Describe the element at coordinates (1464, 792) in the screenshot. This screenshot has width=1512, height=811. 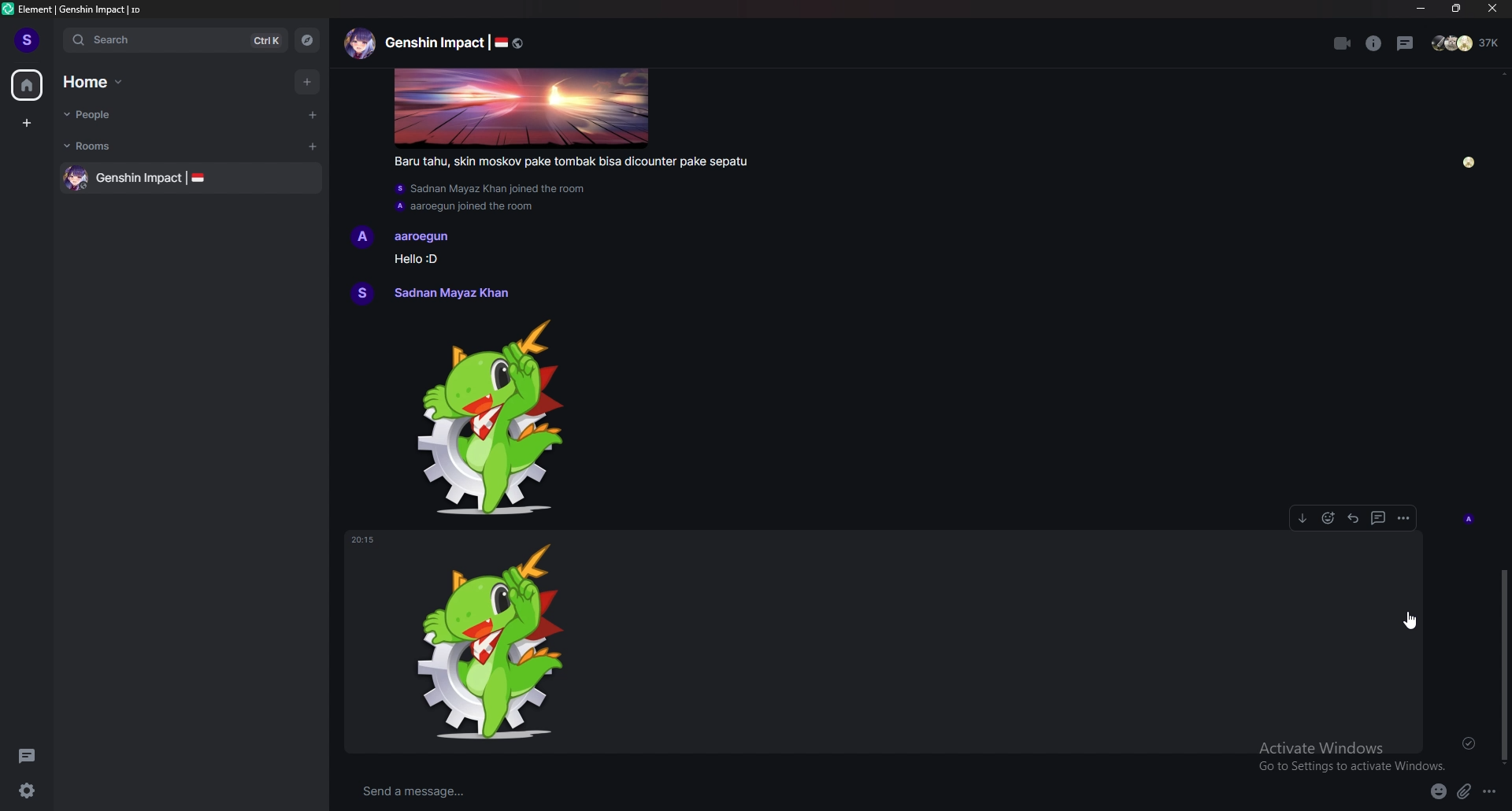
I see `Attach file` at that location.